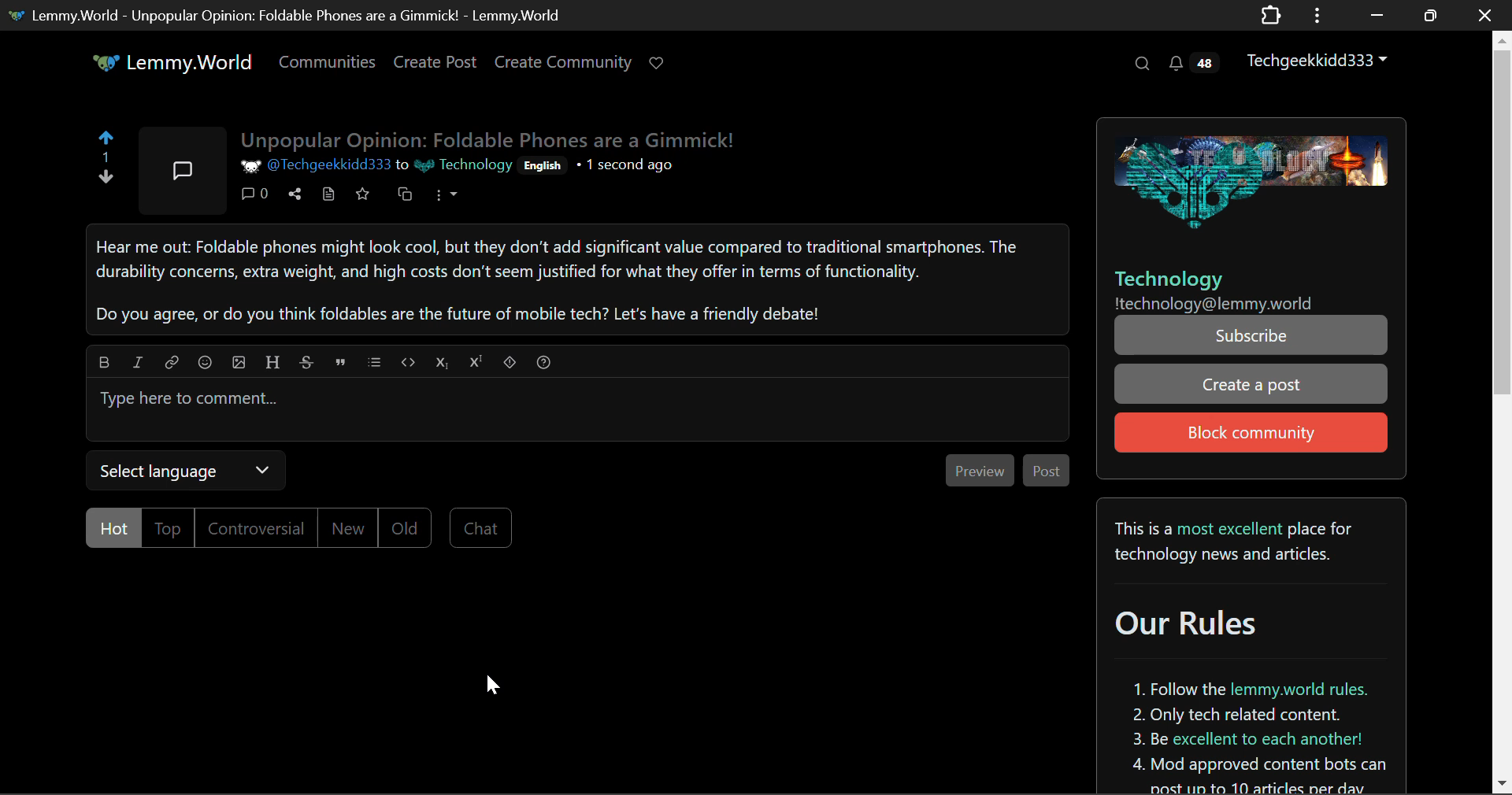 Image resolution: width=1512 pixels, height=795 pixels. What do you see at coordinates (270, 360) in the screenshot?
I see `header` at bounding box center [270, 360].